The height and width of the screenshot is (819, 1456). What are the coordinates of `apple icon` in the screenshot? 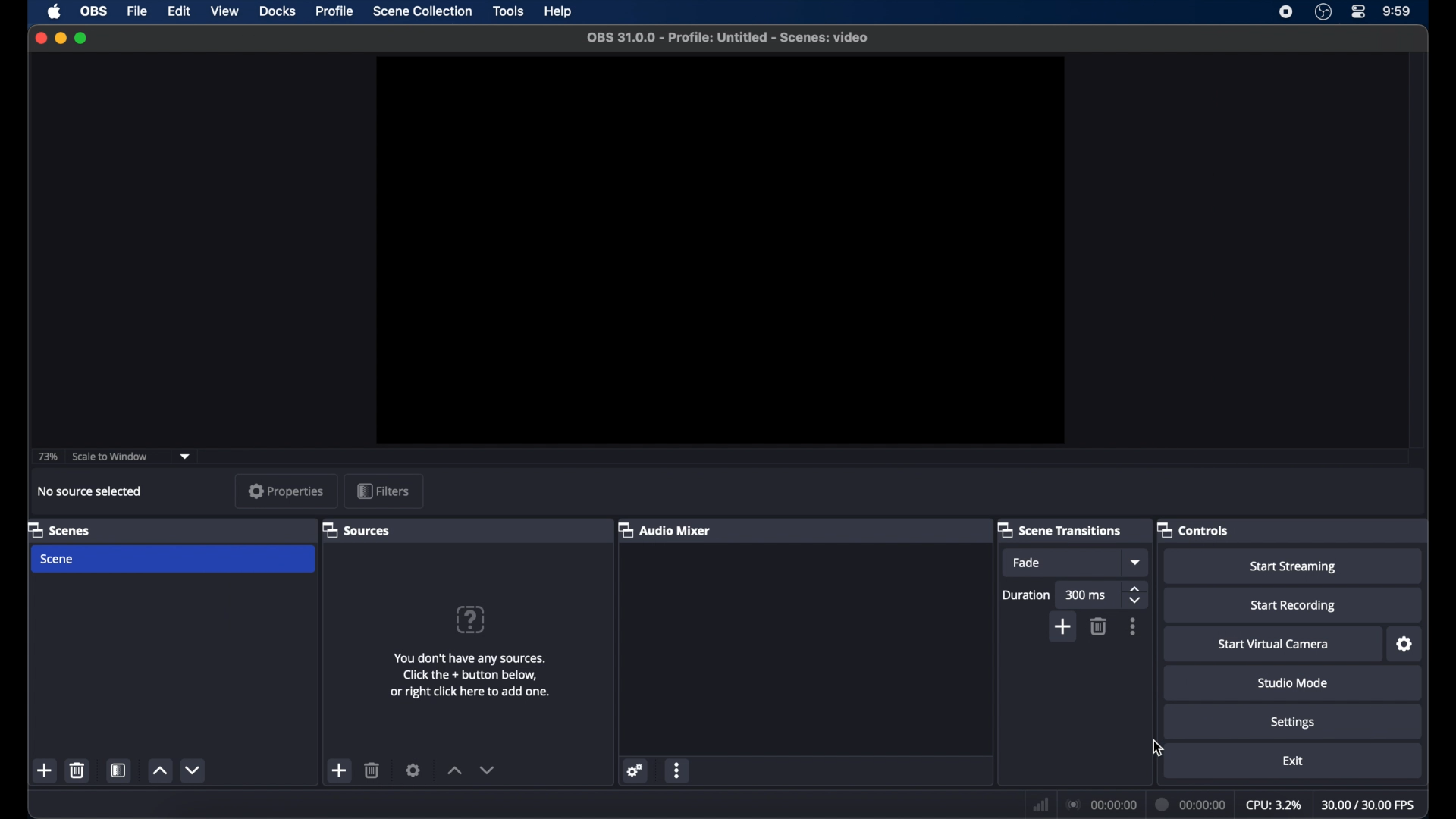 It's located at (54, 12).